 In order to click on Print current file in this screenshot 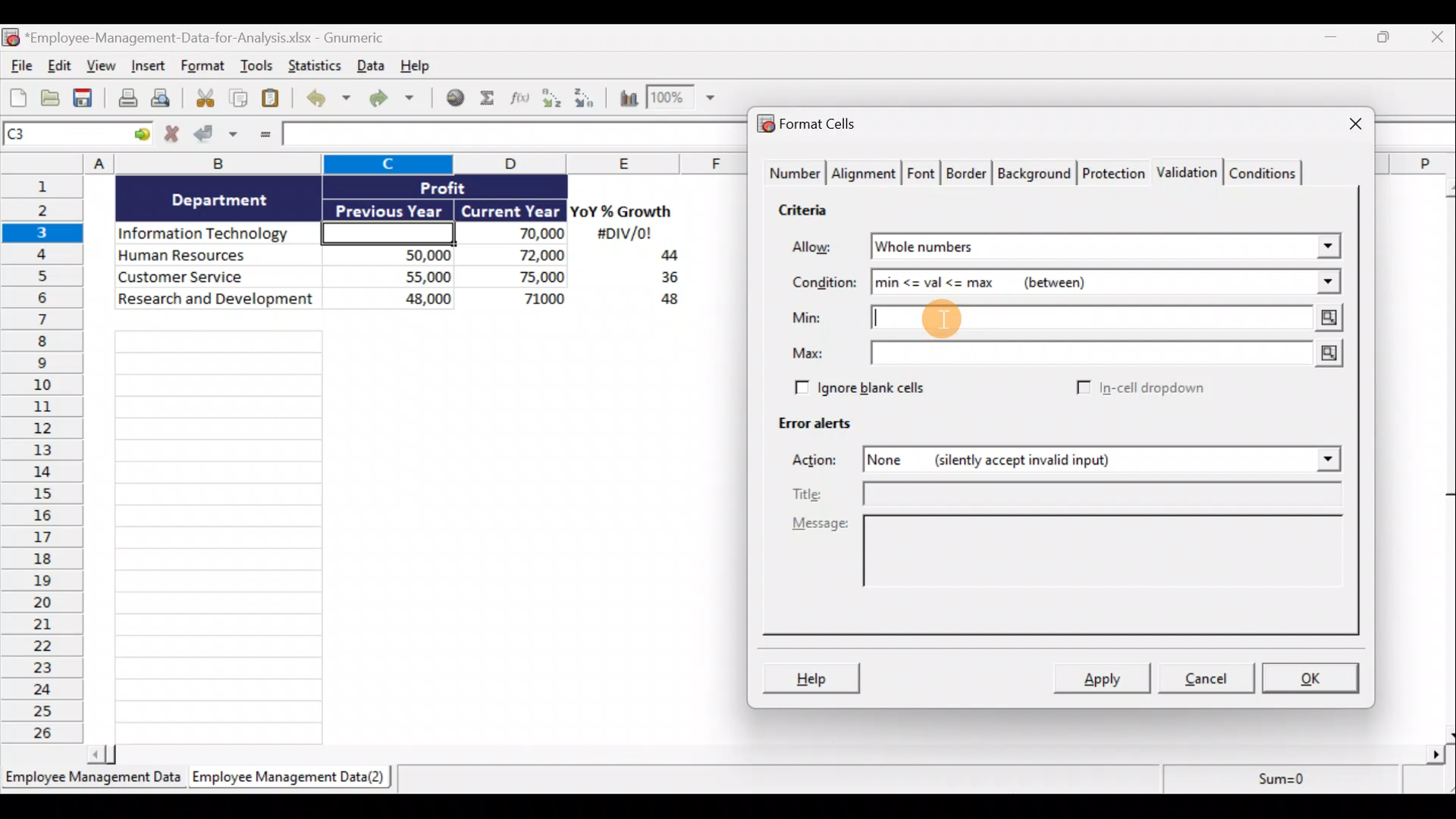, I will do `click(125, 99)`.